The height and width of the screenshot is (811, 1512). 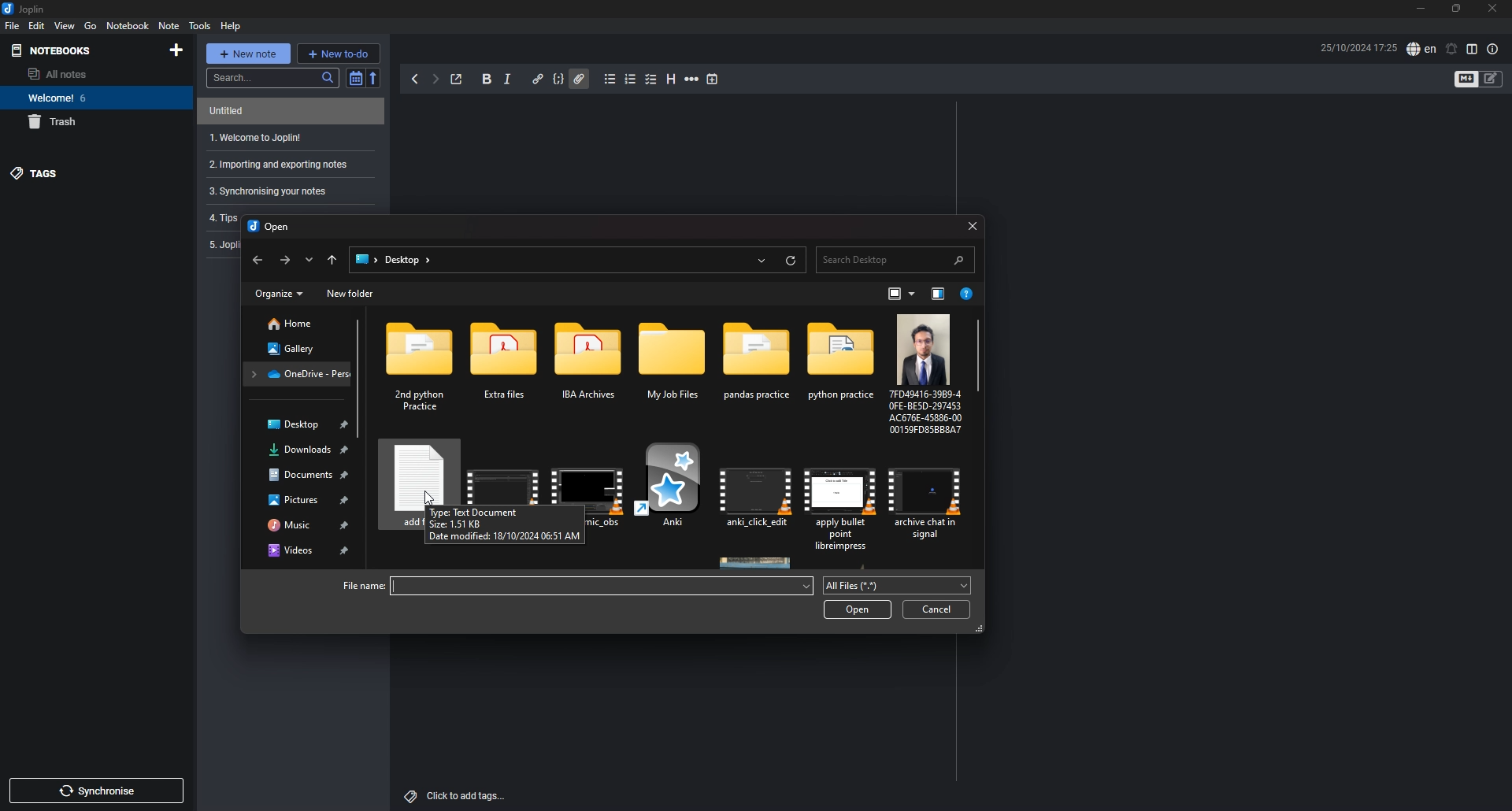 What do you see at coordinates (539, 80) in the screenshot?
I see `add hyperlink` at bounding box center [539, 80].